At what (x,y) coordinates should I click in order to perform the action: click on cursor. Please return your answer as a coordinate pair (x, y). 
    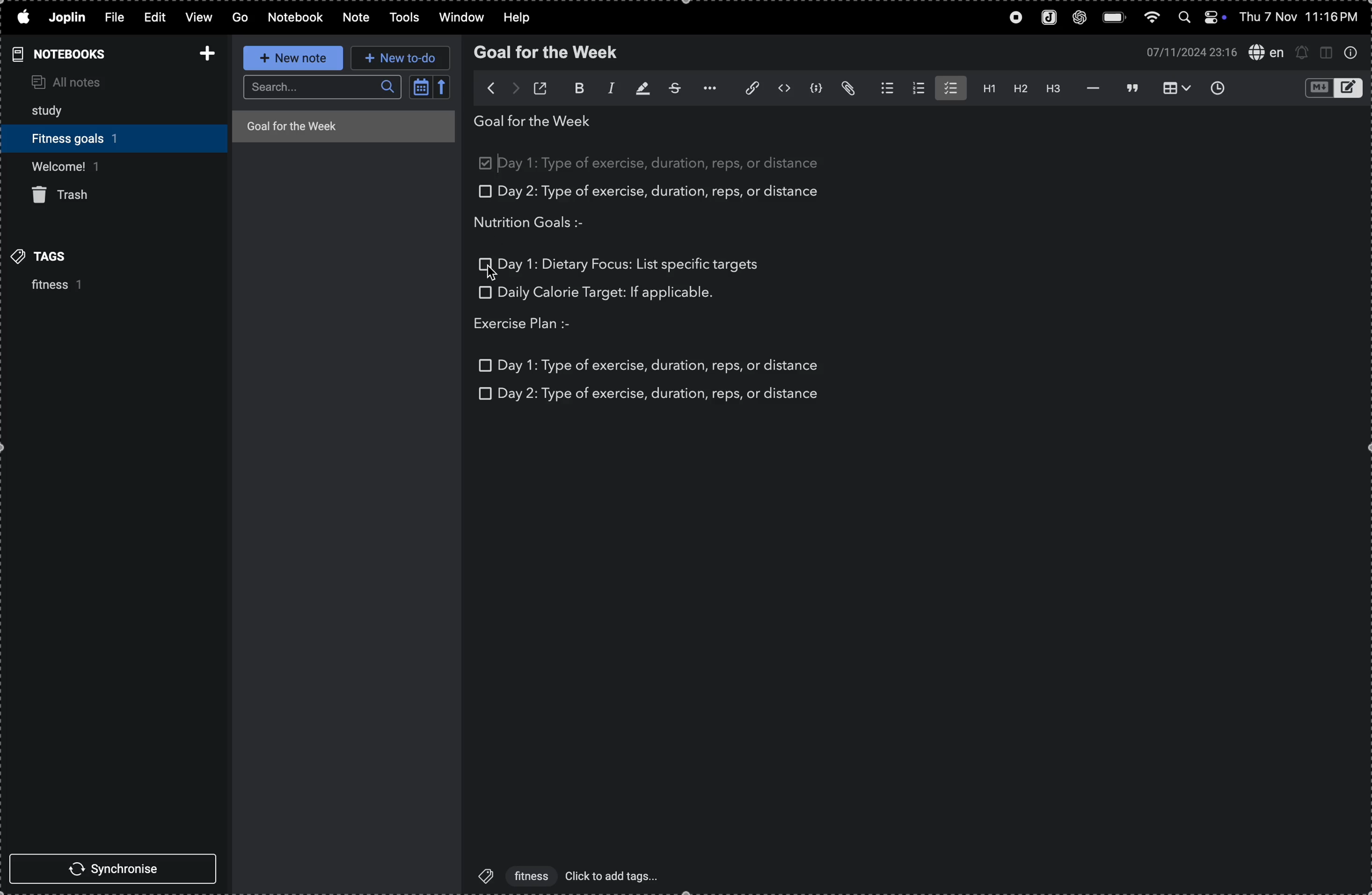
    Looking at the image, I should click on (492, 272).